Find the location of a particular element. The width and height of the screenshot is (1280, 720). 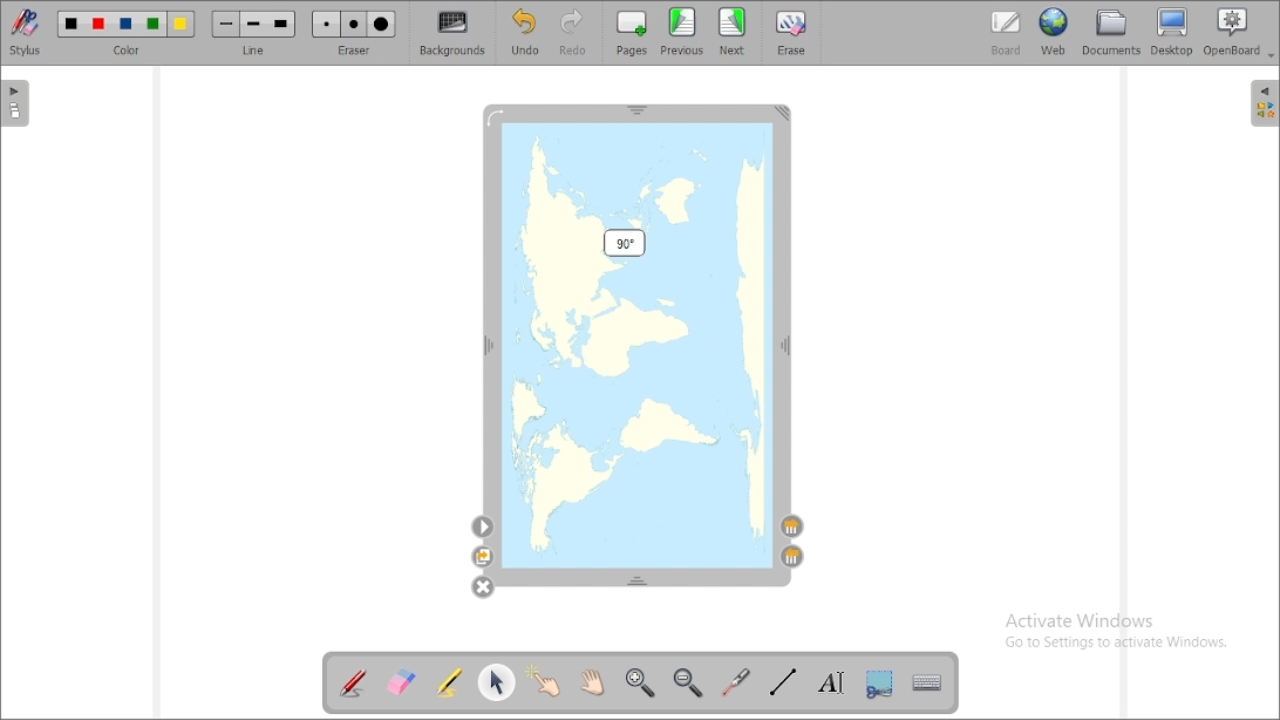

interact with items is located at coordinates (543, 680).